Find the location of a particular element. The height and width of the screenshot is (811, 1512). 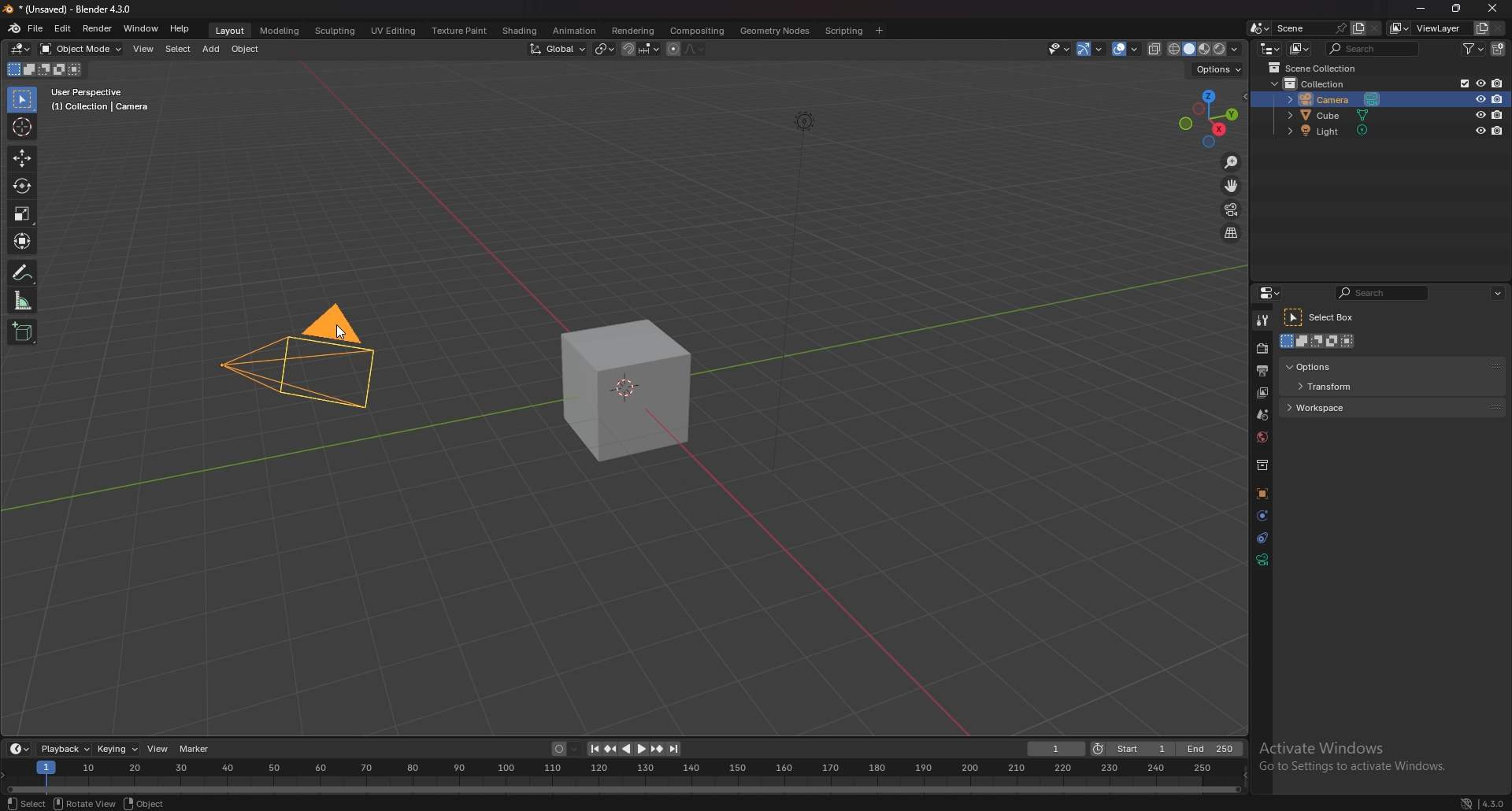

geometry nodes is located at coordinates (773, 30).